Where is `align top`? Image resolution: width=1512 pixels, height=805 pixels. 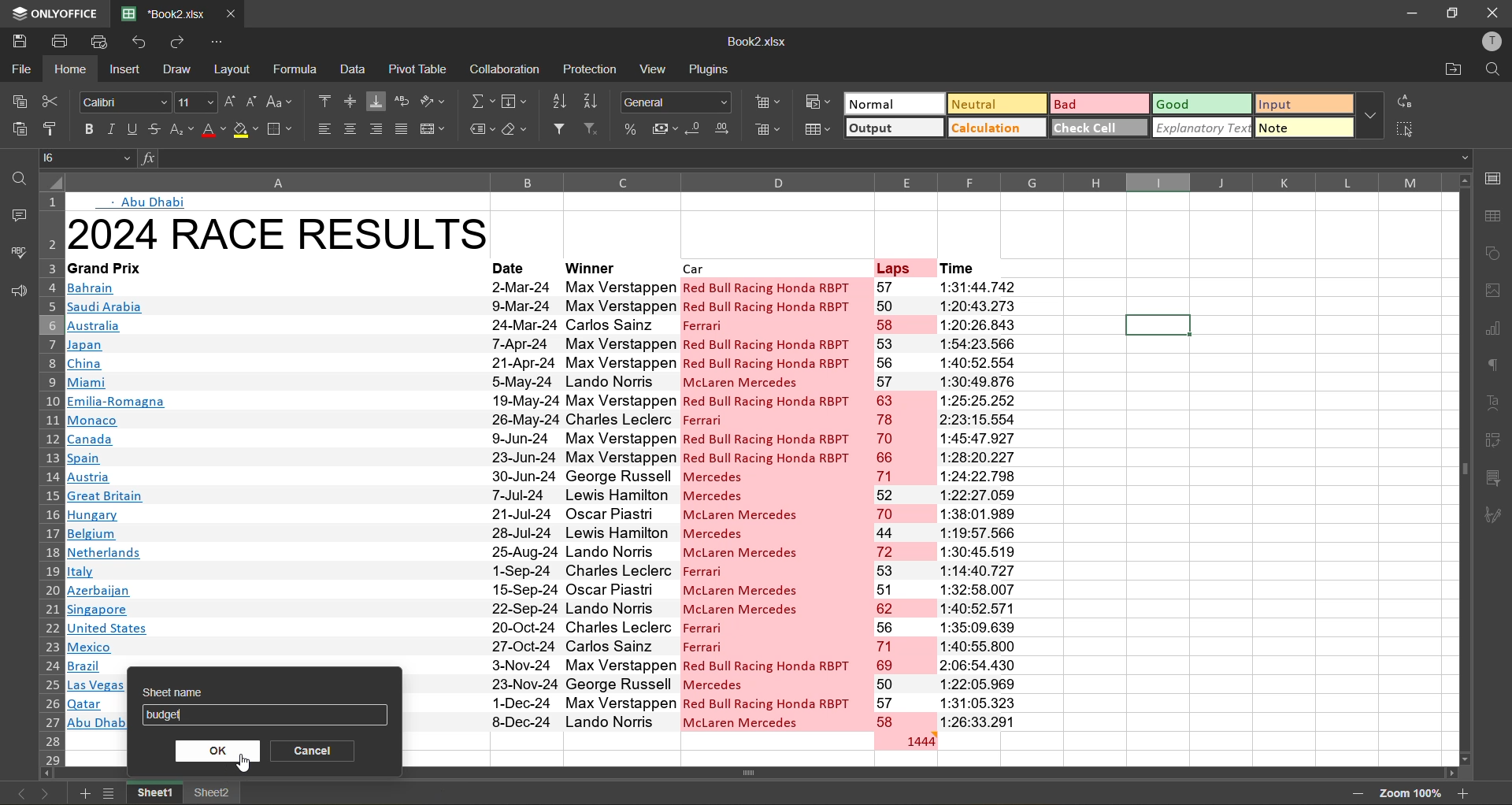 align top is located at coordinates (327, 102).